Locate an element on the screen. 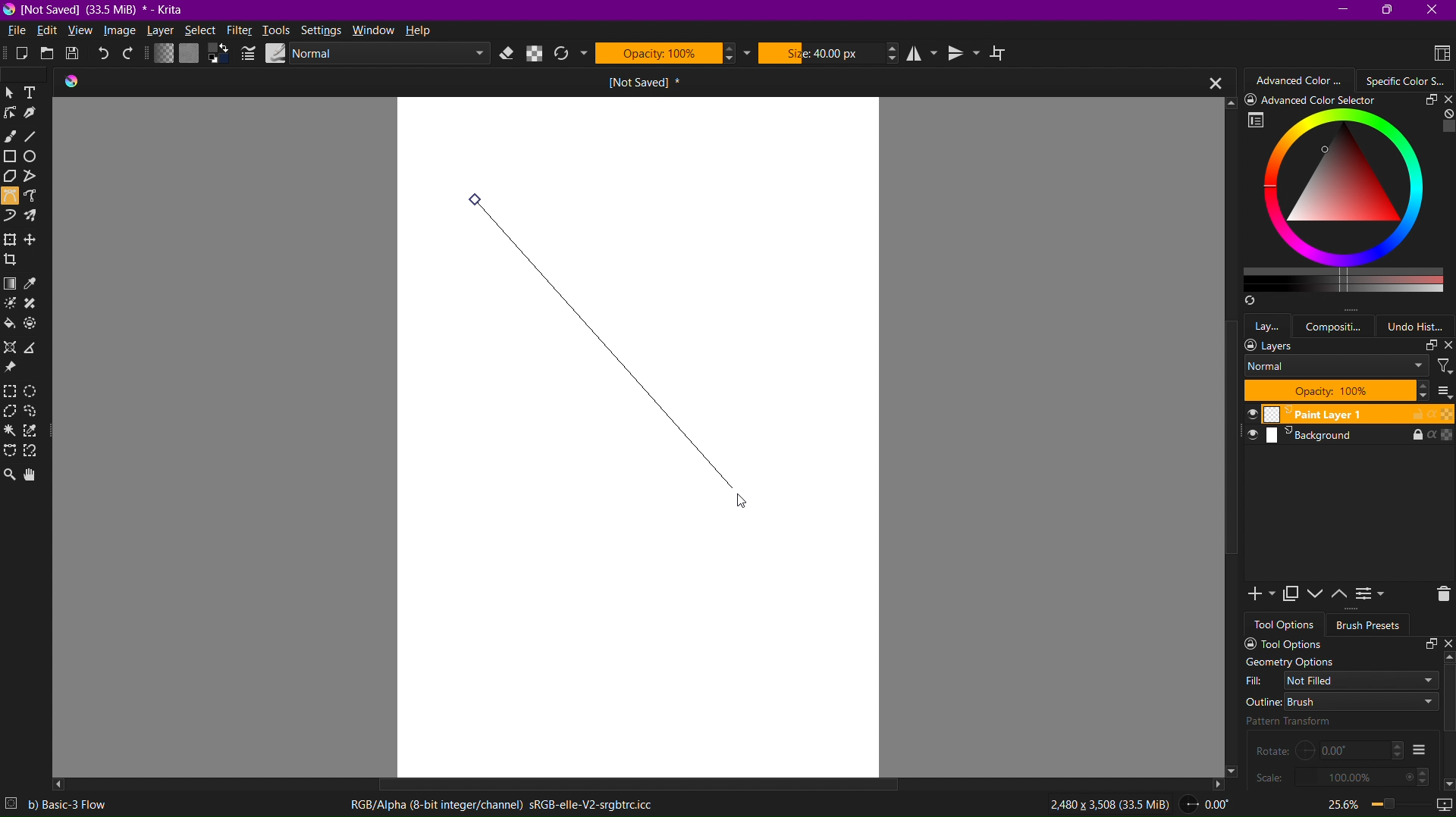 The width and height of the screenshot is (1456, 817). Sample a color is located at coordinates (39, 283).